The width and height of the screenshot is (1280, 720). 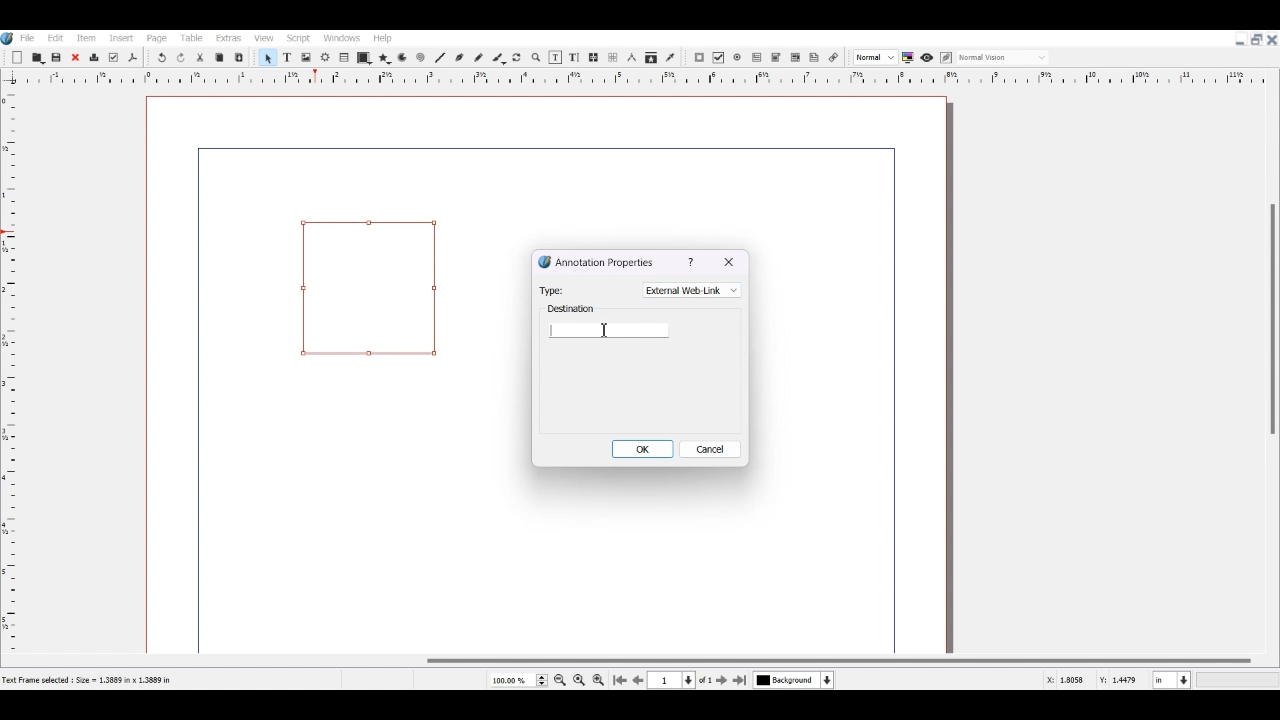 I want to click on Table, so click(x=191, y=38).